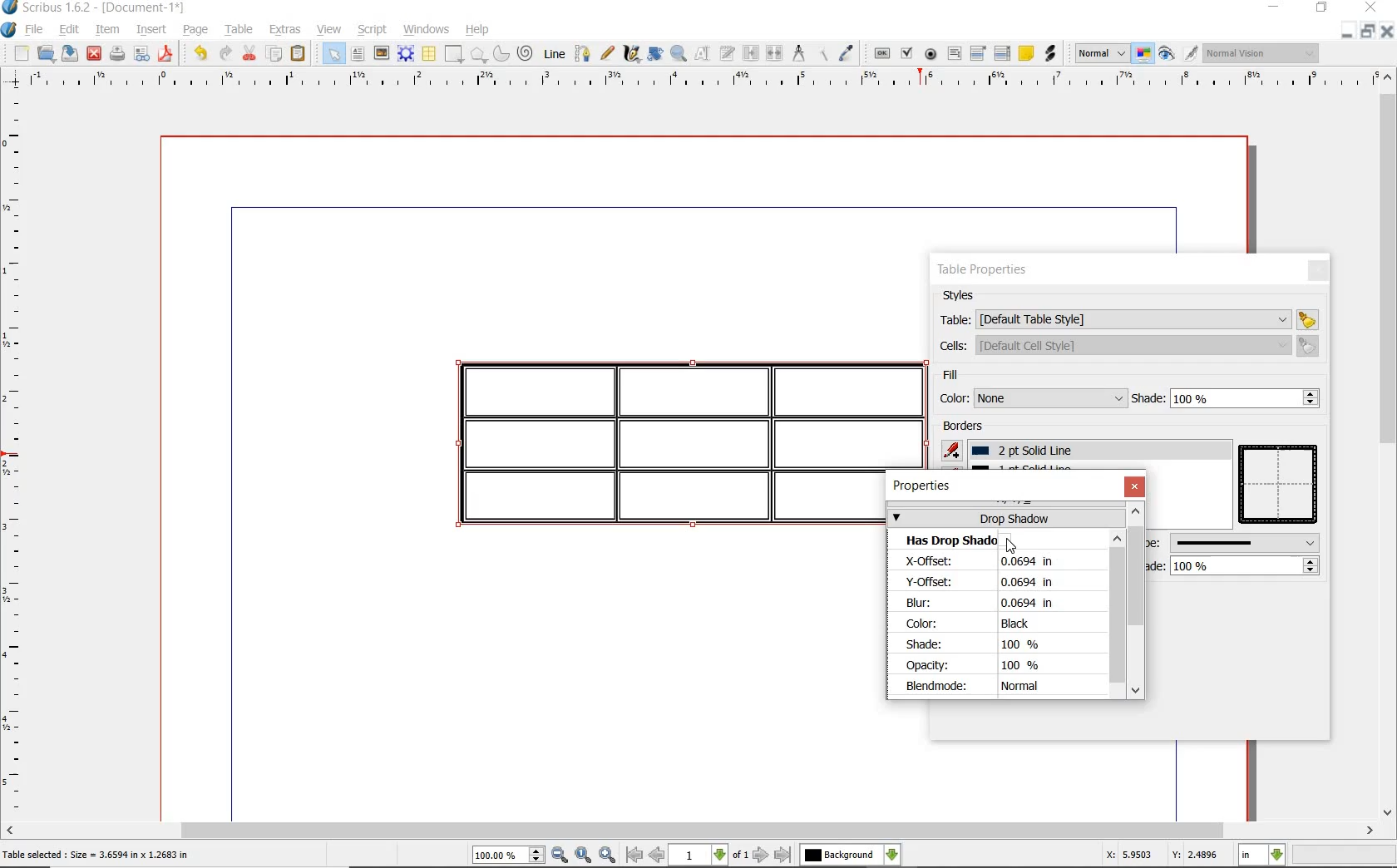 The image size is (1397, 868). I want to click on polygon, so click(479, 55).